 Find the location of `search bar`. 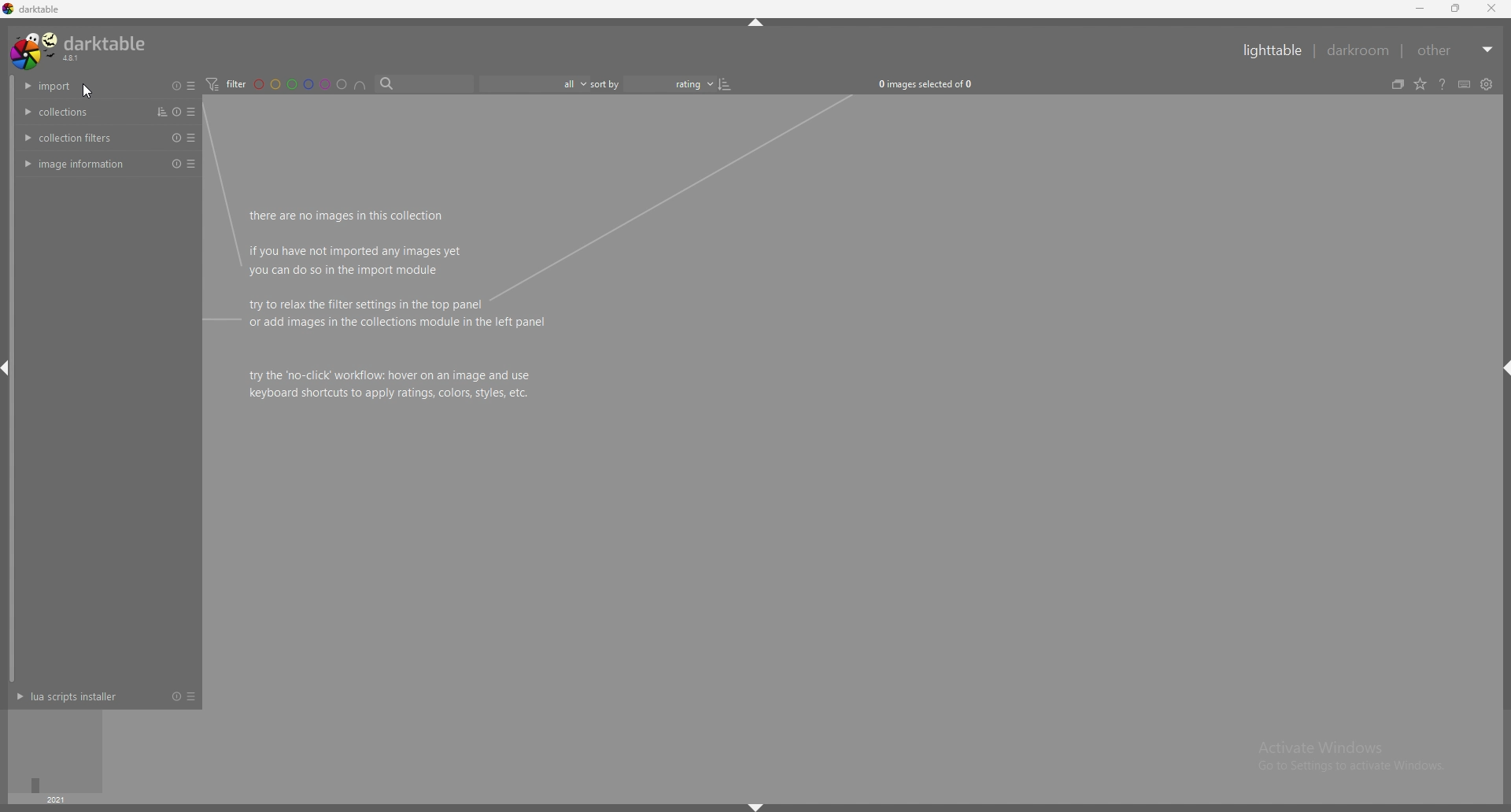

search bar is located at coordinates (422, 84).